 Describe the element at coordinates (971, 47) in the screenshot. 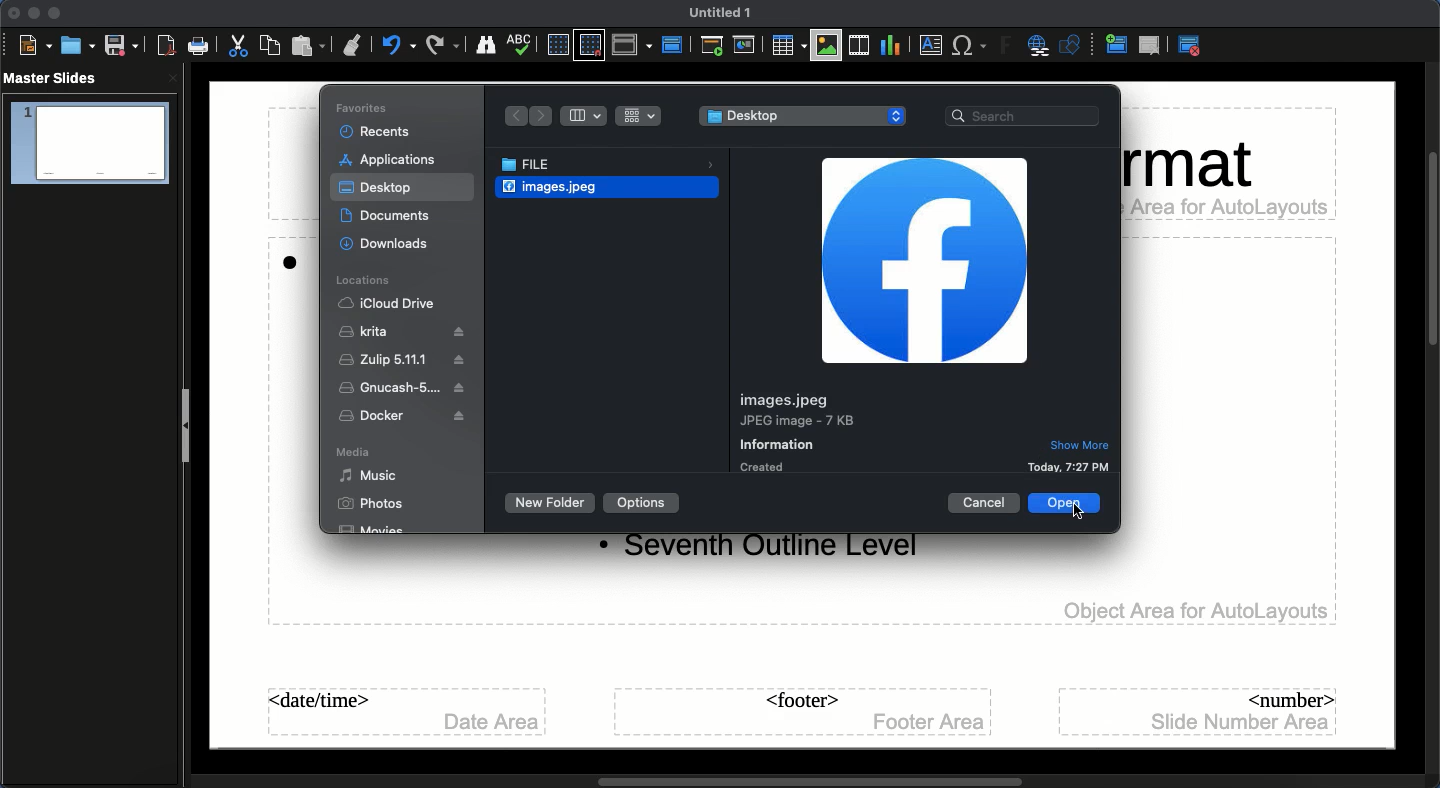

I see `Characters` at that location.